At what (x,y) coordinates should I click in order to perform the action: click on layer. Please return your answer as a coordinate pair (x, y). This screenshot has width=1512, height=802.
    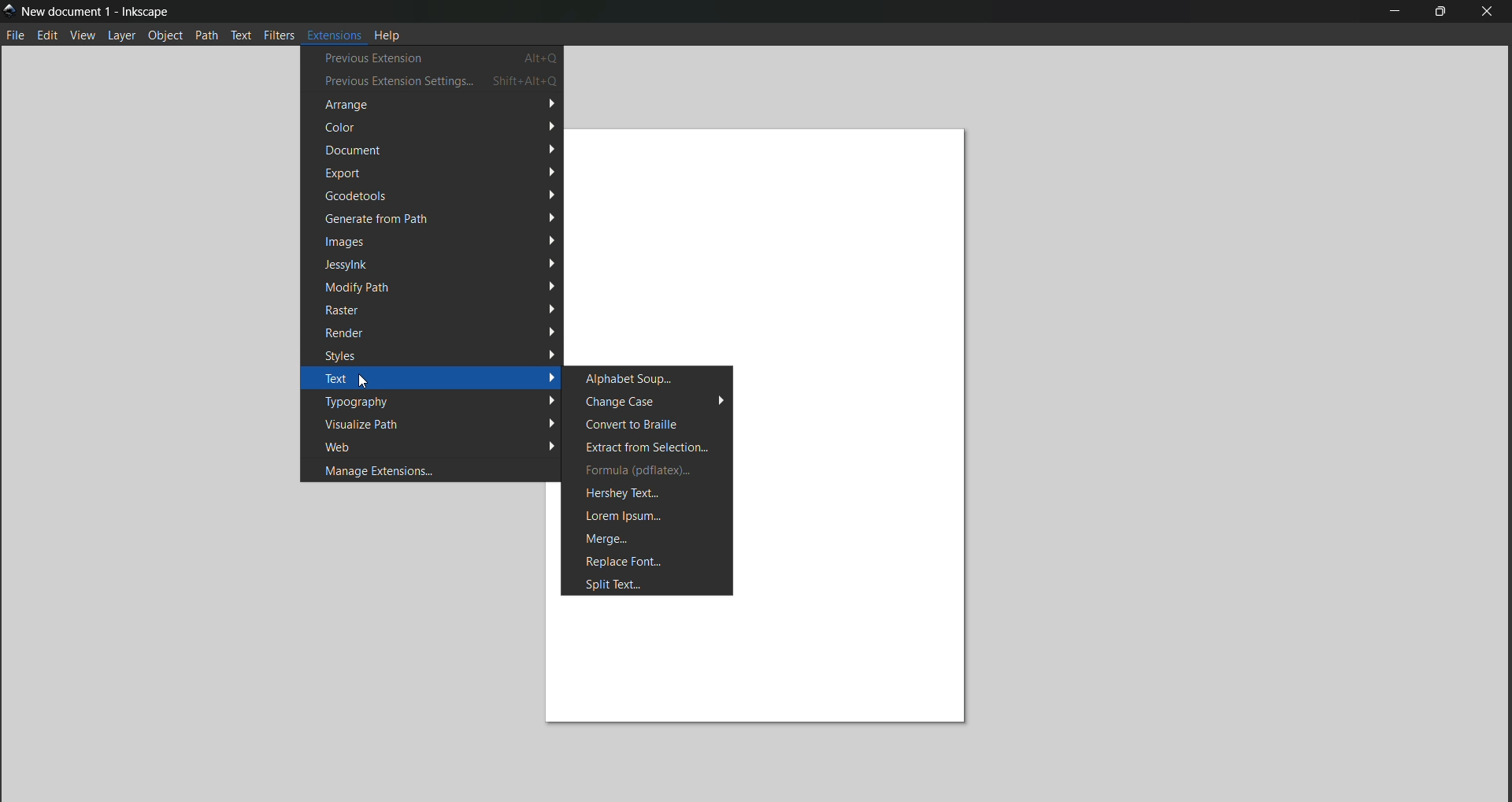
    Looking at the image, I should click on (124, 36).